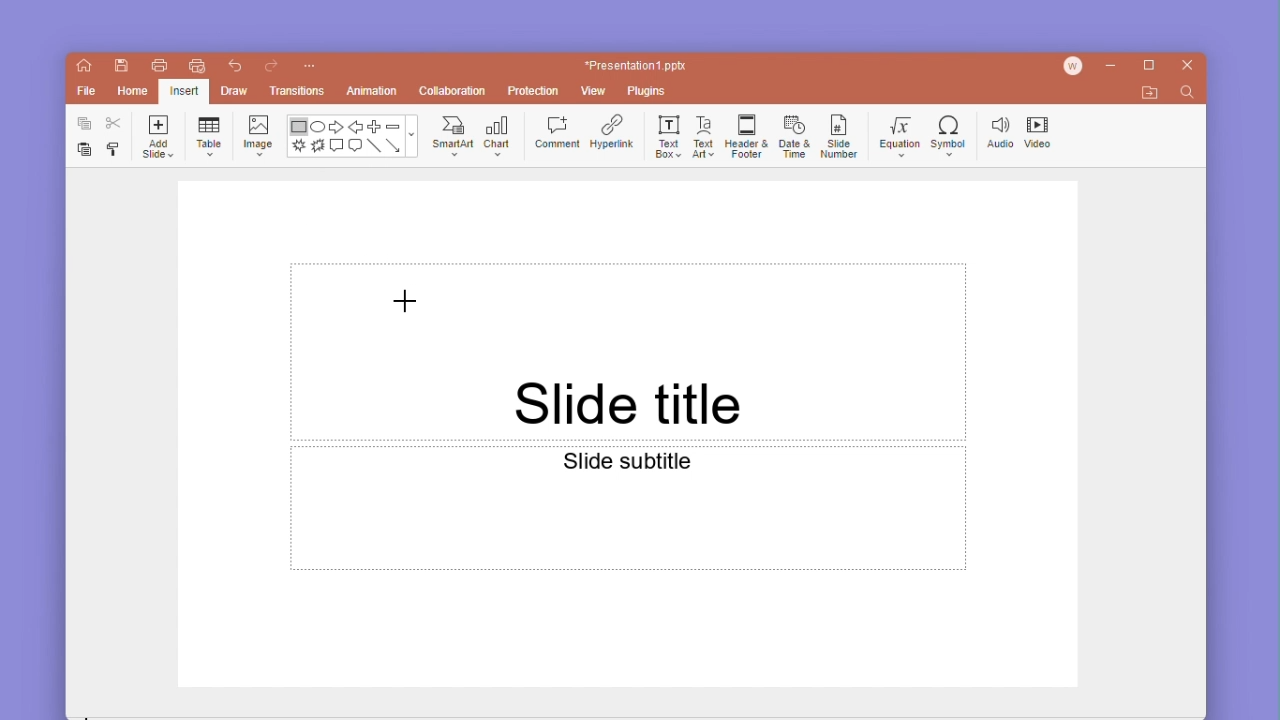 The width and height of the screenshot is (1280, 720). I want to click on brush stroke shape, so click(299, 147).